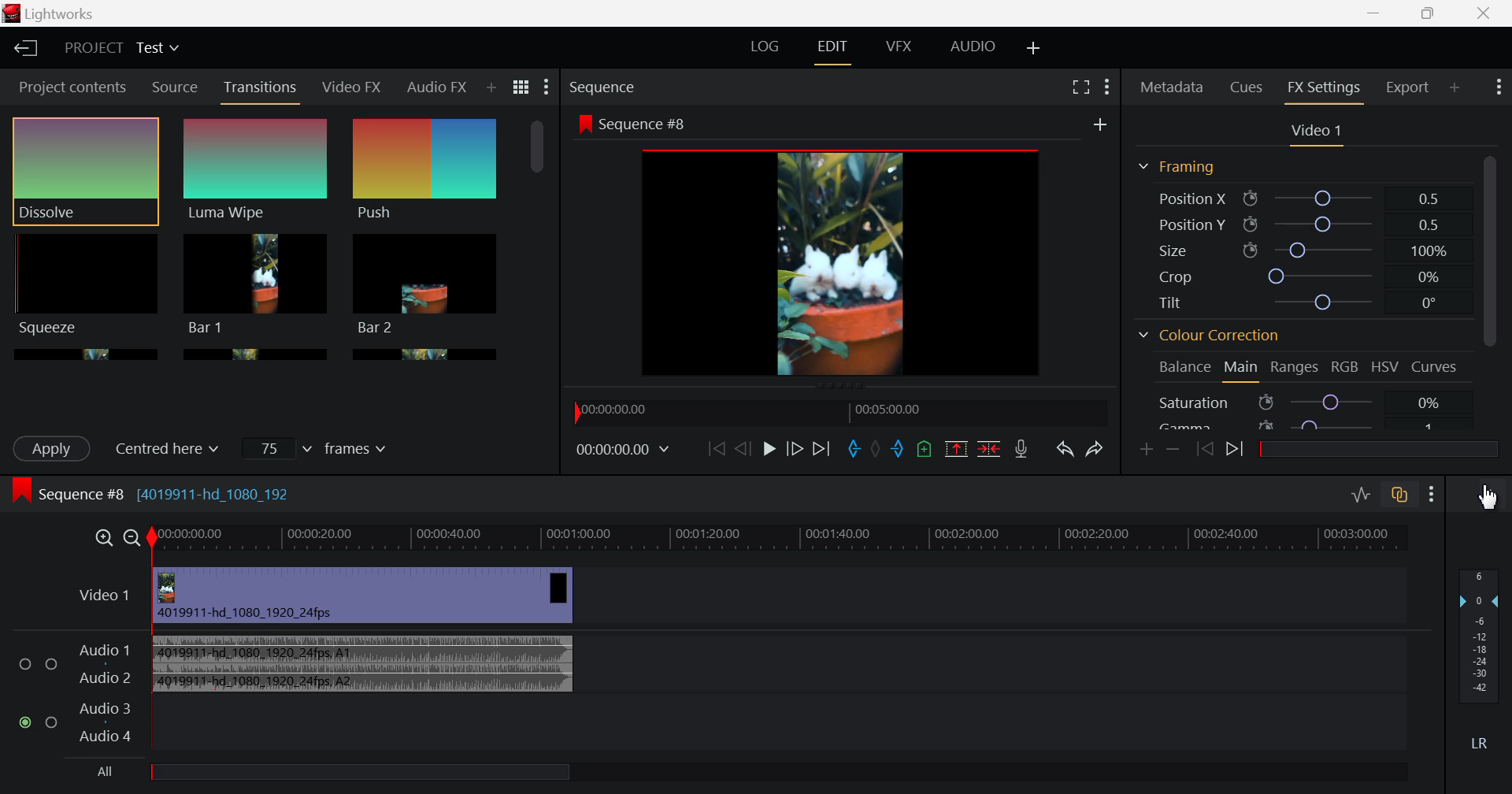 This screenshot has width=1512, height=794. I want to click on Add Panel, so click(1455, 87).